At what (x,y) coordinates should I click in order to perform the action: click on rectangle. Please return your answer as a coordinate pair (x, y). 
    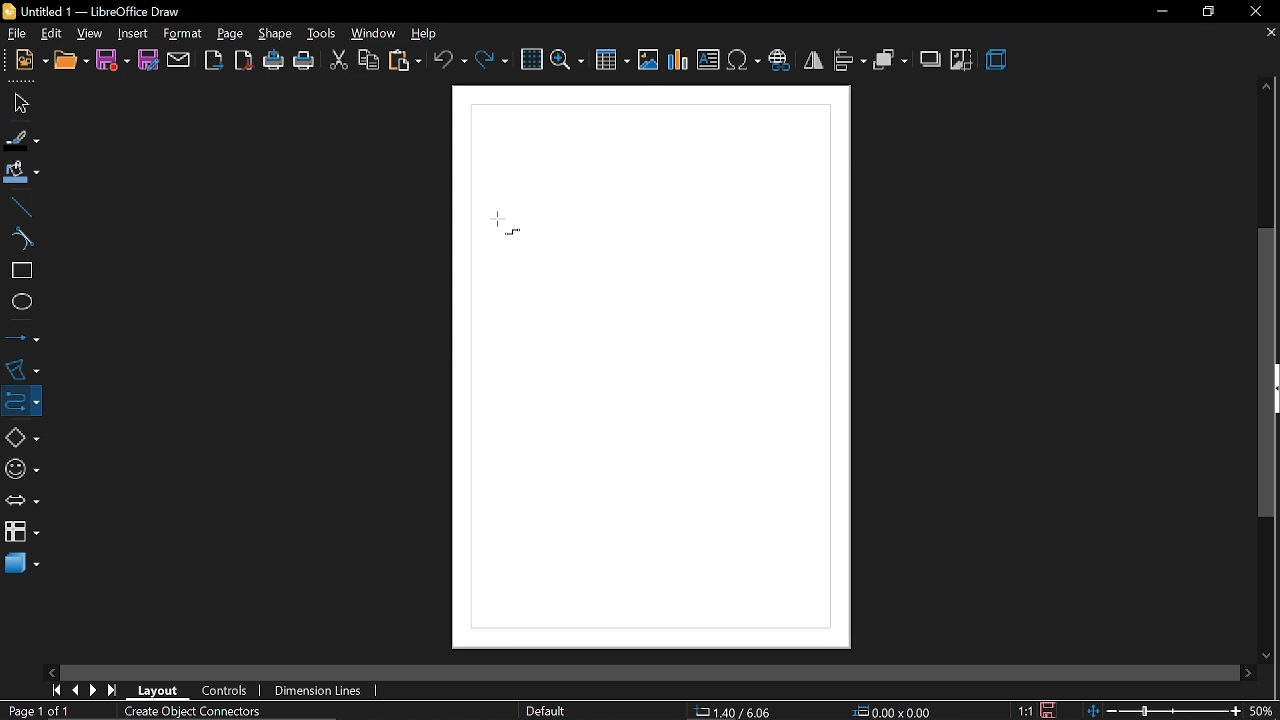
    Looking at the image, I should click on (18, 271).